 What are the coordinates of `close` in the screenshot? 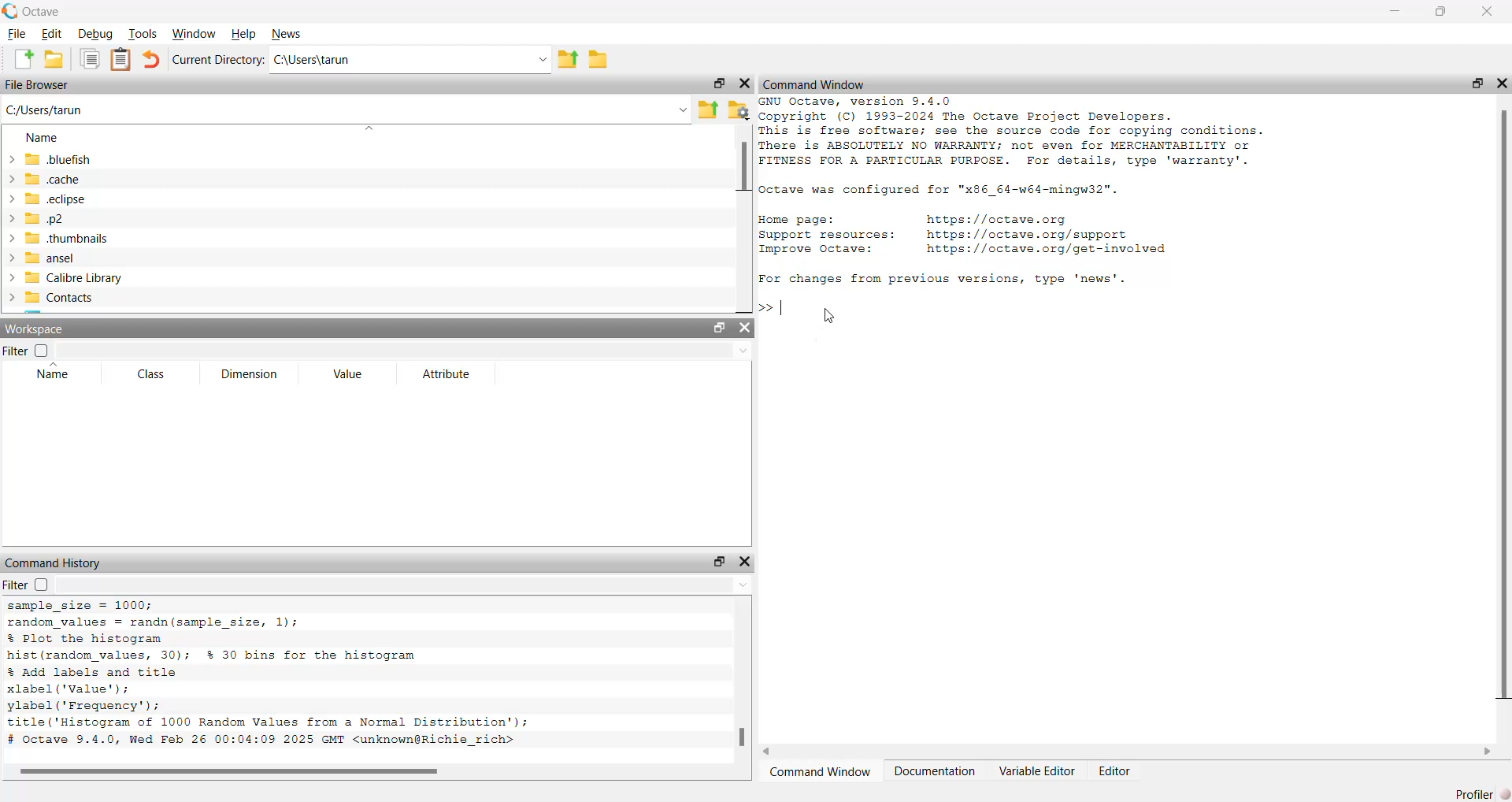 It's located at (744, 328).